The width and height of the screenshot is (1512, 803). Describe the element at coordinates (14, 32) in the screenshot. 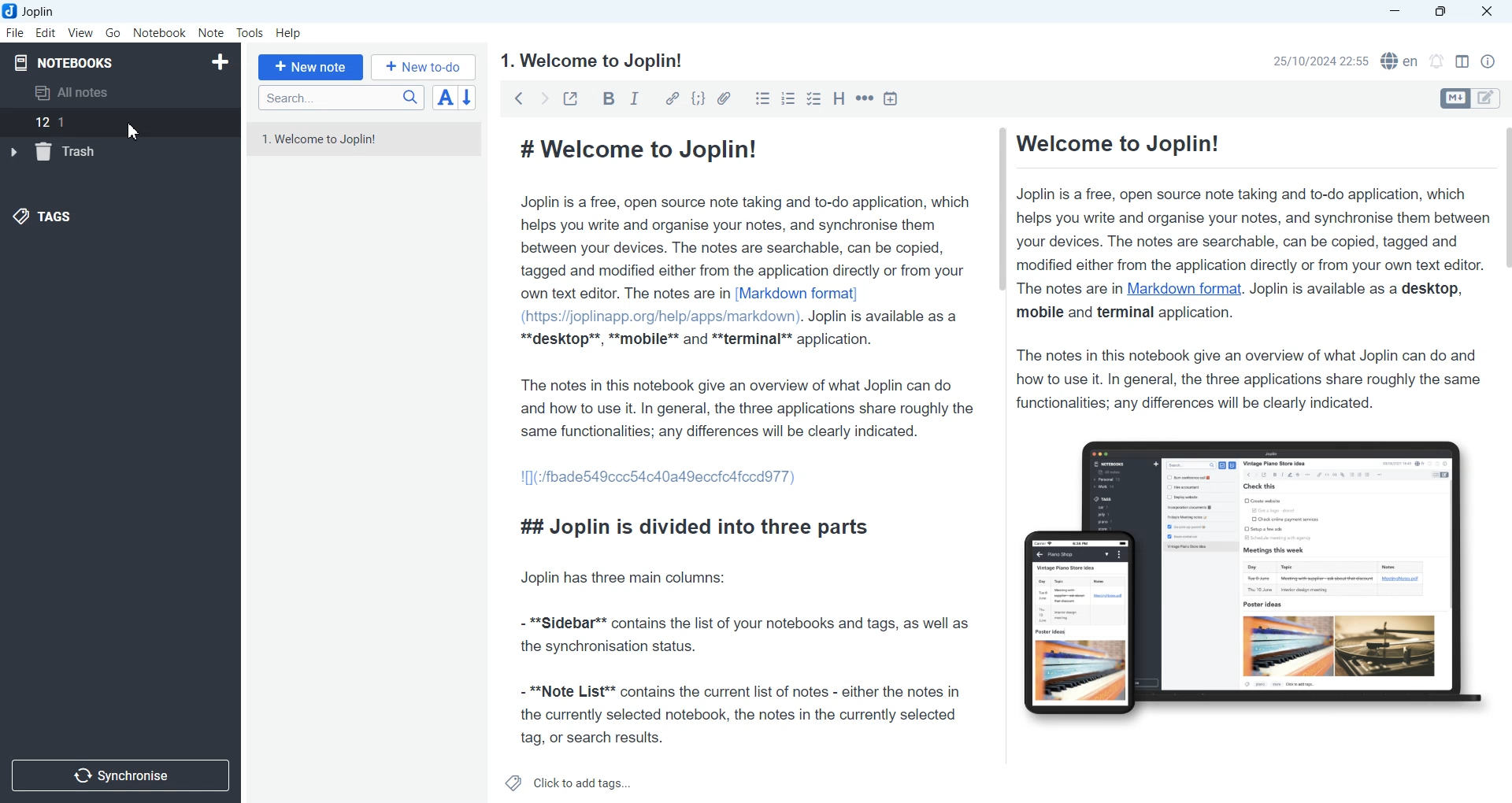

I see `File ` at that location.